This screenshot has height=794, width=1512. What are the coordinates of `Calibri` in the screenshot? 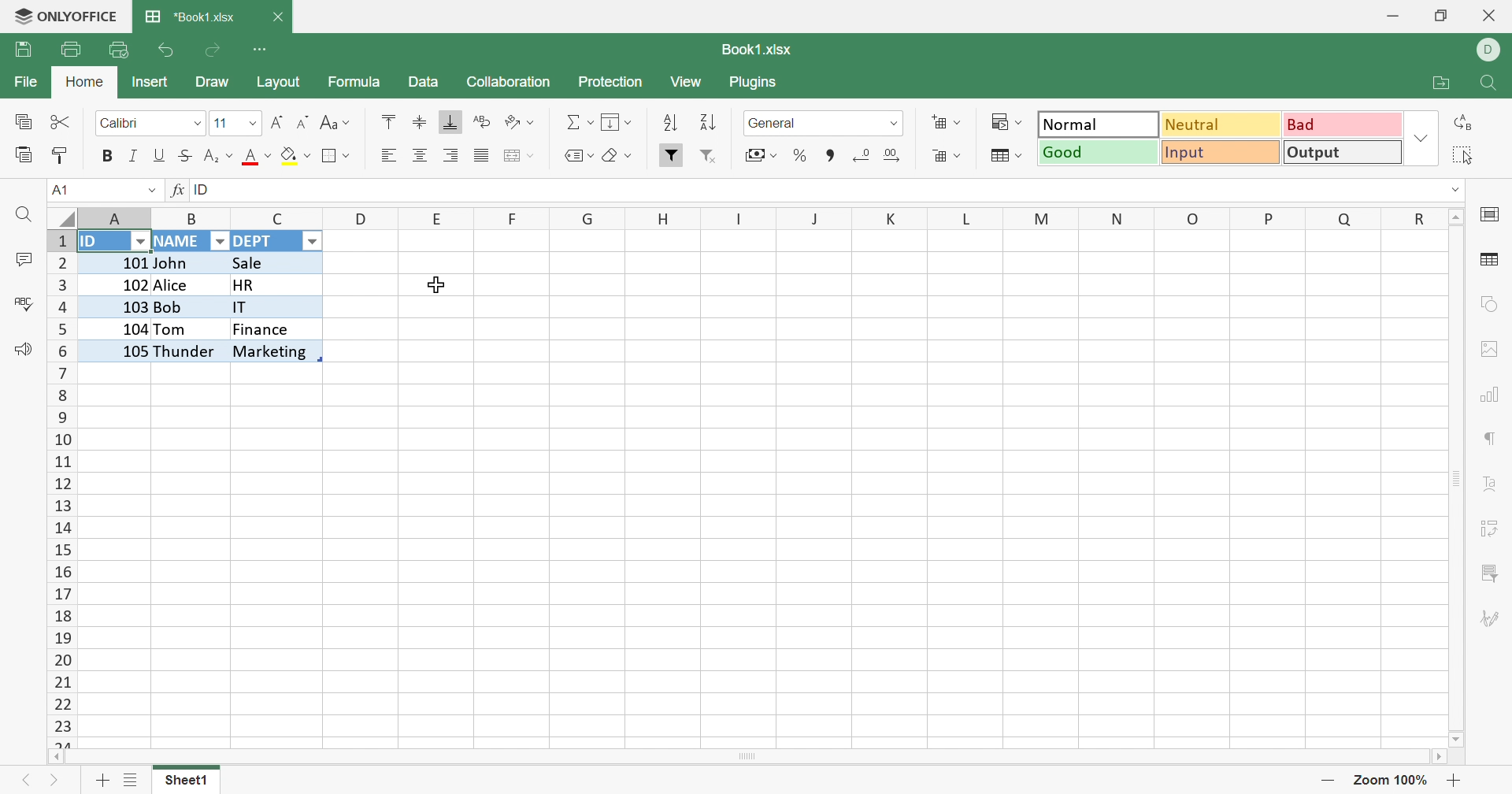 It's located at (124, 123).